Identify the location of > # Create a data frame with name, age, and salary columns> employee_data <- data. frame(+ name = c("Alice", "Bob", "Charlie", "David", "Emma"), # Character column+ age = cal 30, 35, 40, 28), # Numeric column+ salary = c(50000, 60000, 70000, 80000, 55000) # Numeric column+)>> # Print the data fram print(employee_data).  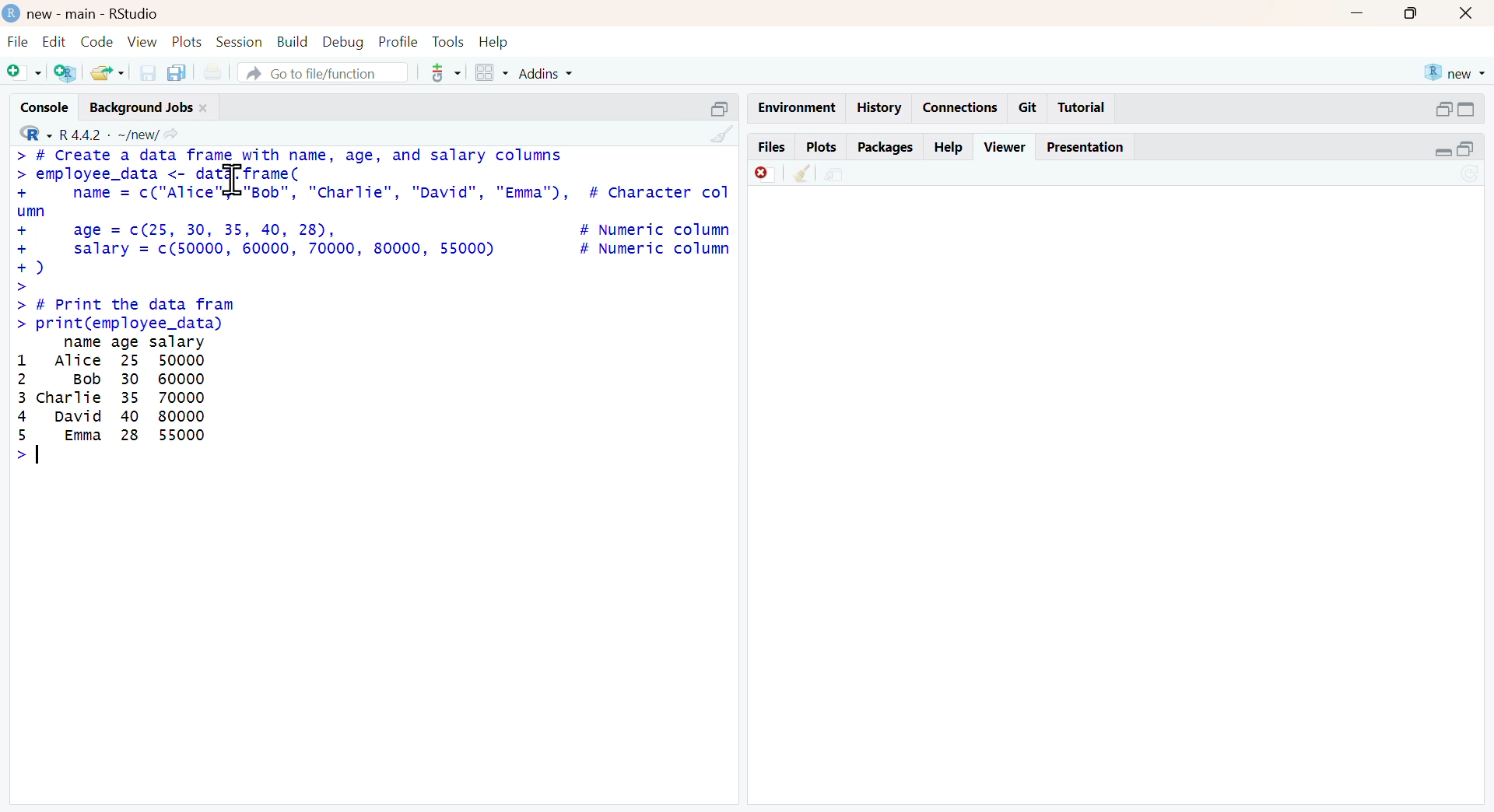
(372, 239).